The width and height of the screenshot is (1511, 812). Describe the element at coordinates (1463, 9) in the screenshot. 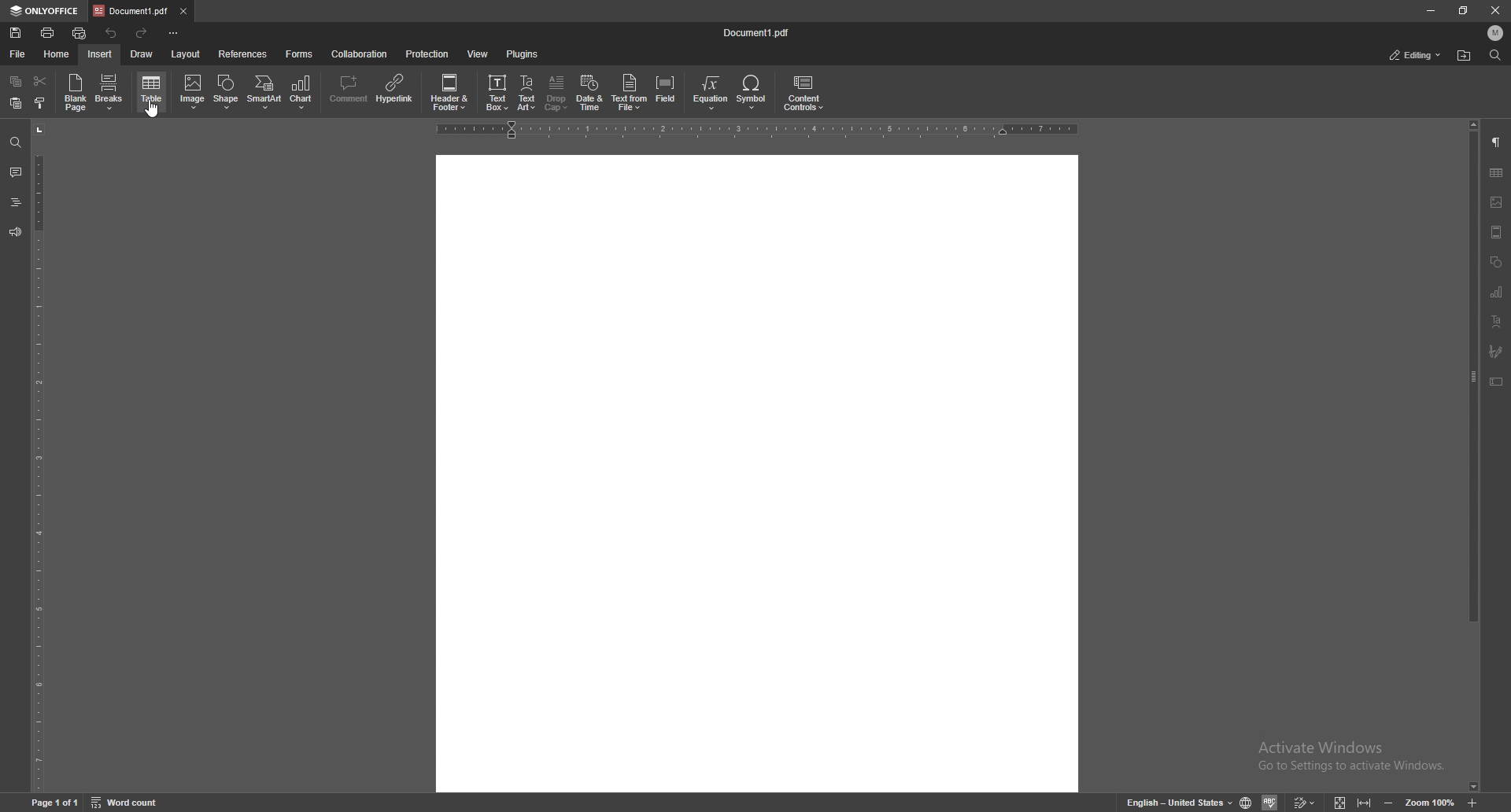

I see `resize` at that location.